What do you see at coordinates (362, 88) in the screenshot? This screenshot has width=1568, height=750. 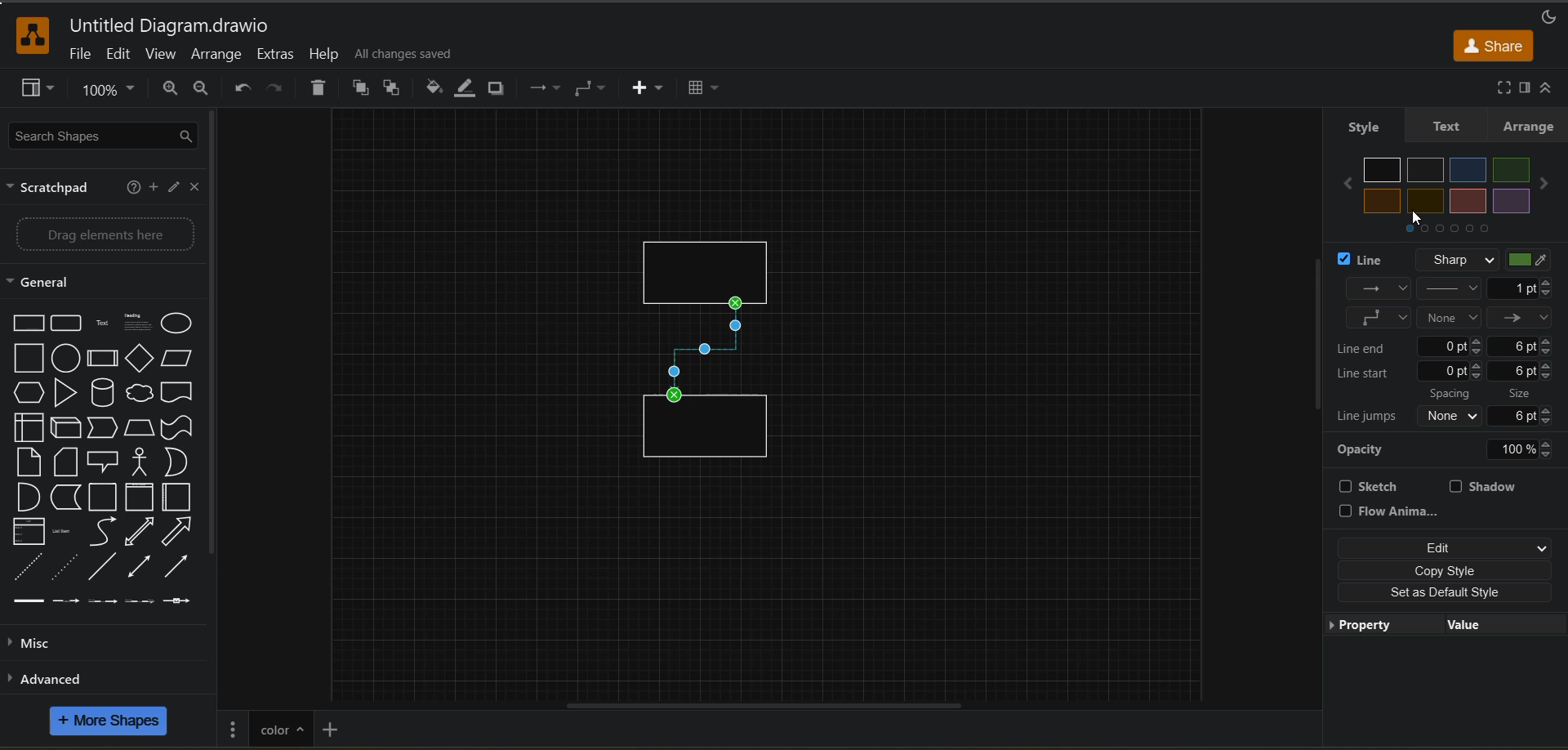 I see `to front` at bounding box center [362, 88].